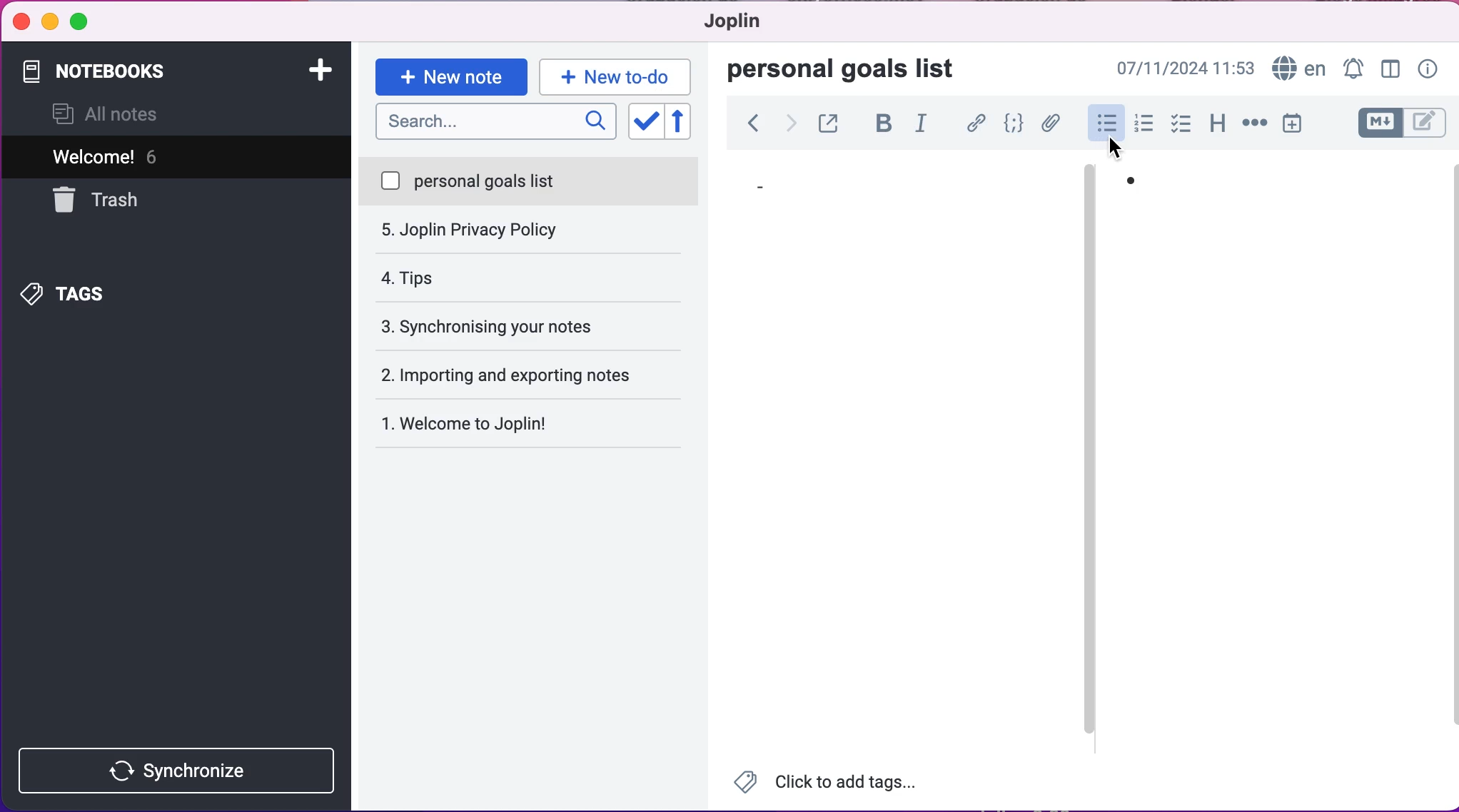 The image size is (1459, 812). What do you see at coordinates (829, 126) in the screenshot?
I see `toggle external editing` at bounding box center [829, 126].